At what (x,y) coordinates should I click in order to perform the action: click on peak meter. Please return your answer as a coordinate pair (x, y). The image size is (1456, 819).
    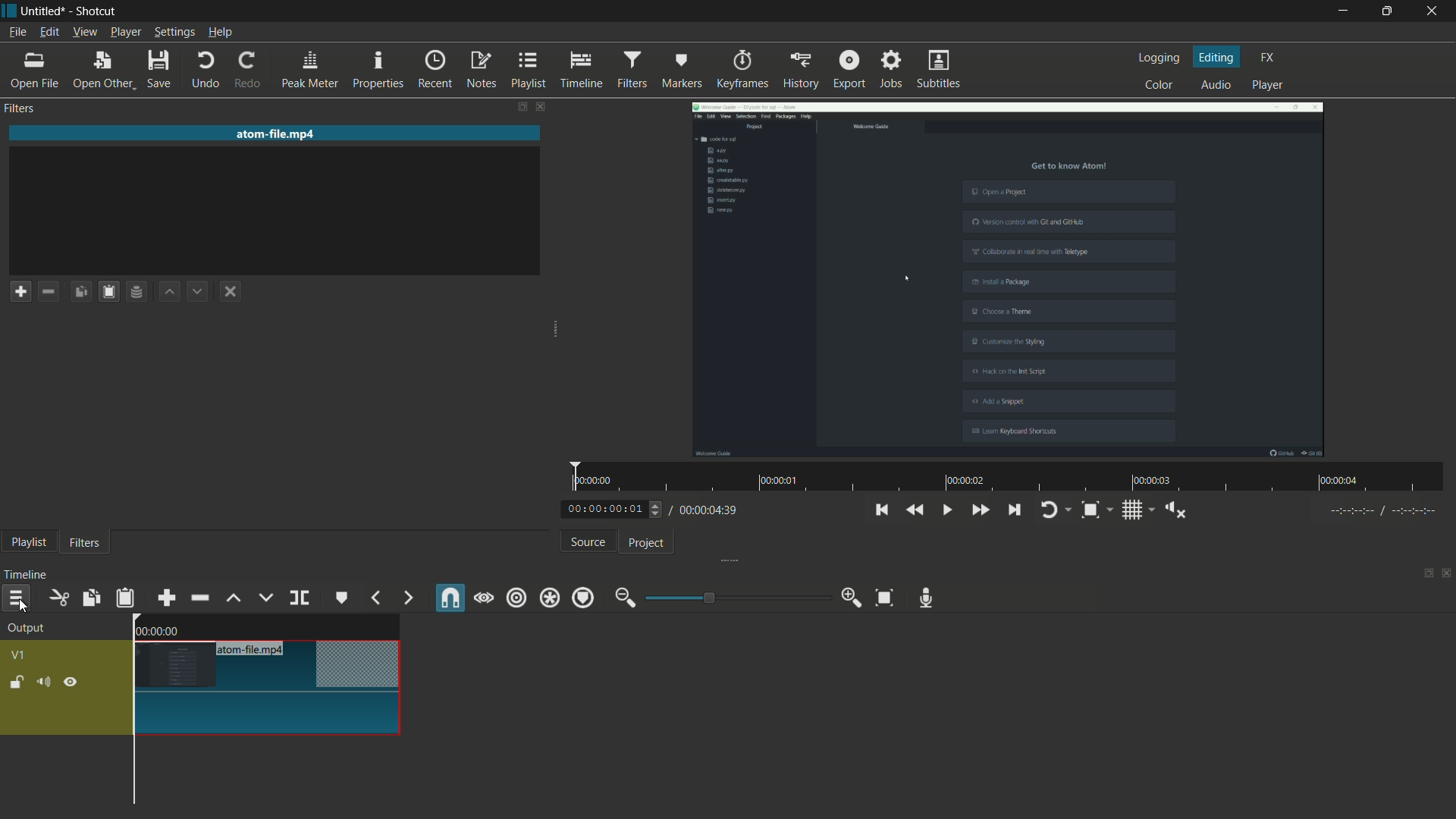
    Looking at the image, I should click on (309, 69).